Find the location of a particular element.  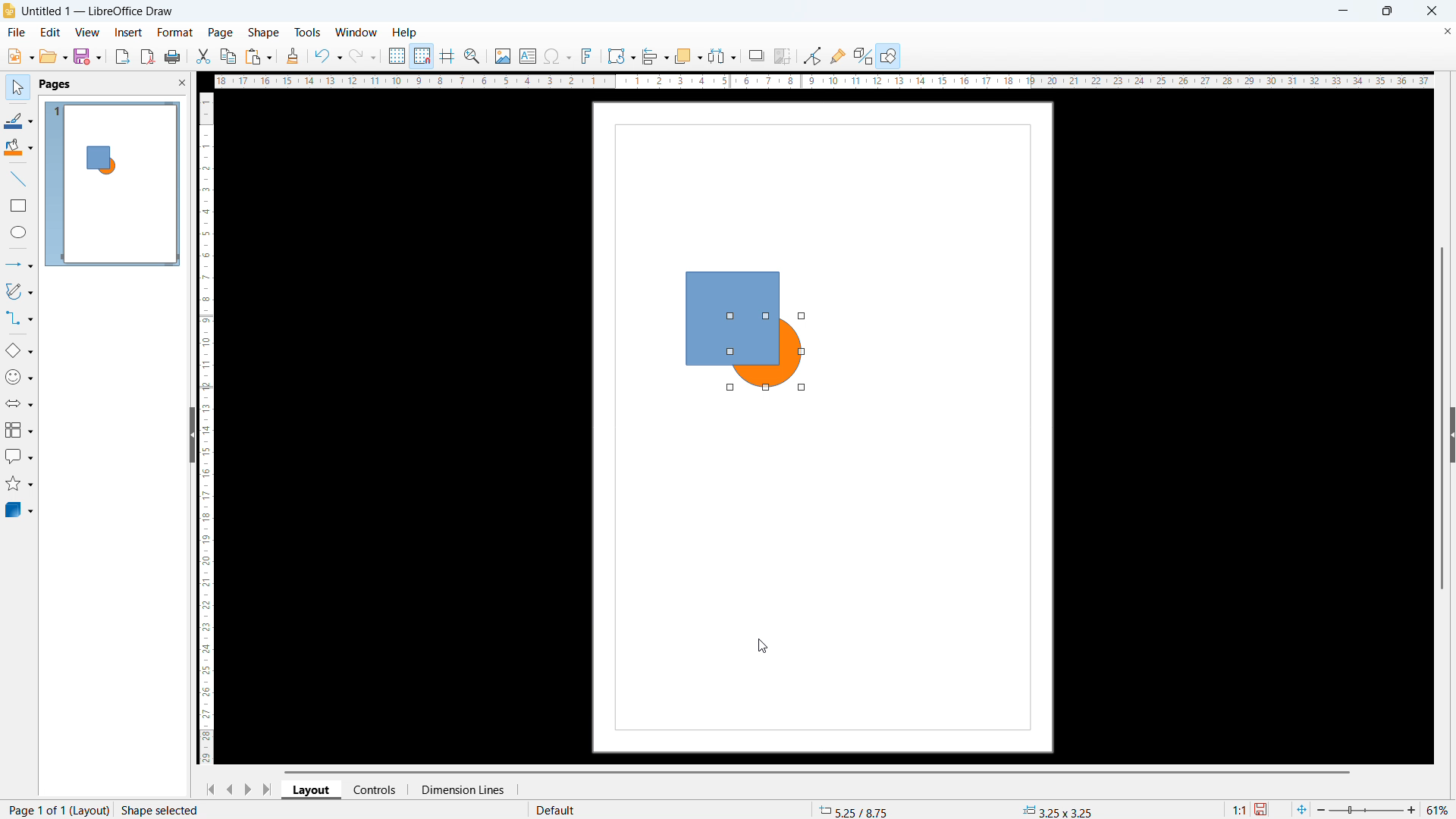

help  is located at coordinates (405, 32).